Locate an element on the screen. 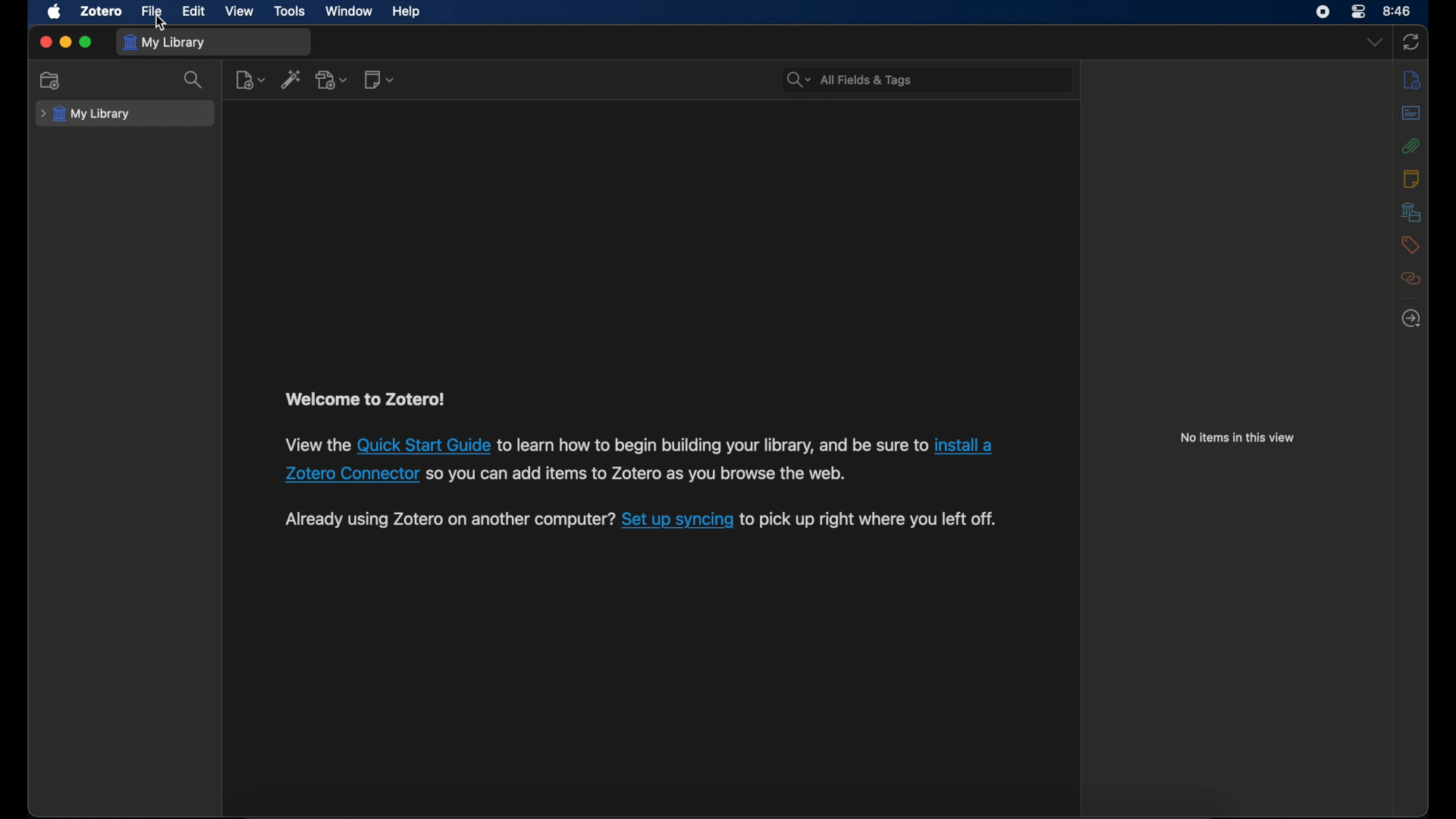  welcome to zotero is located at coordinates (365, 399).